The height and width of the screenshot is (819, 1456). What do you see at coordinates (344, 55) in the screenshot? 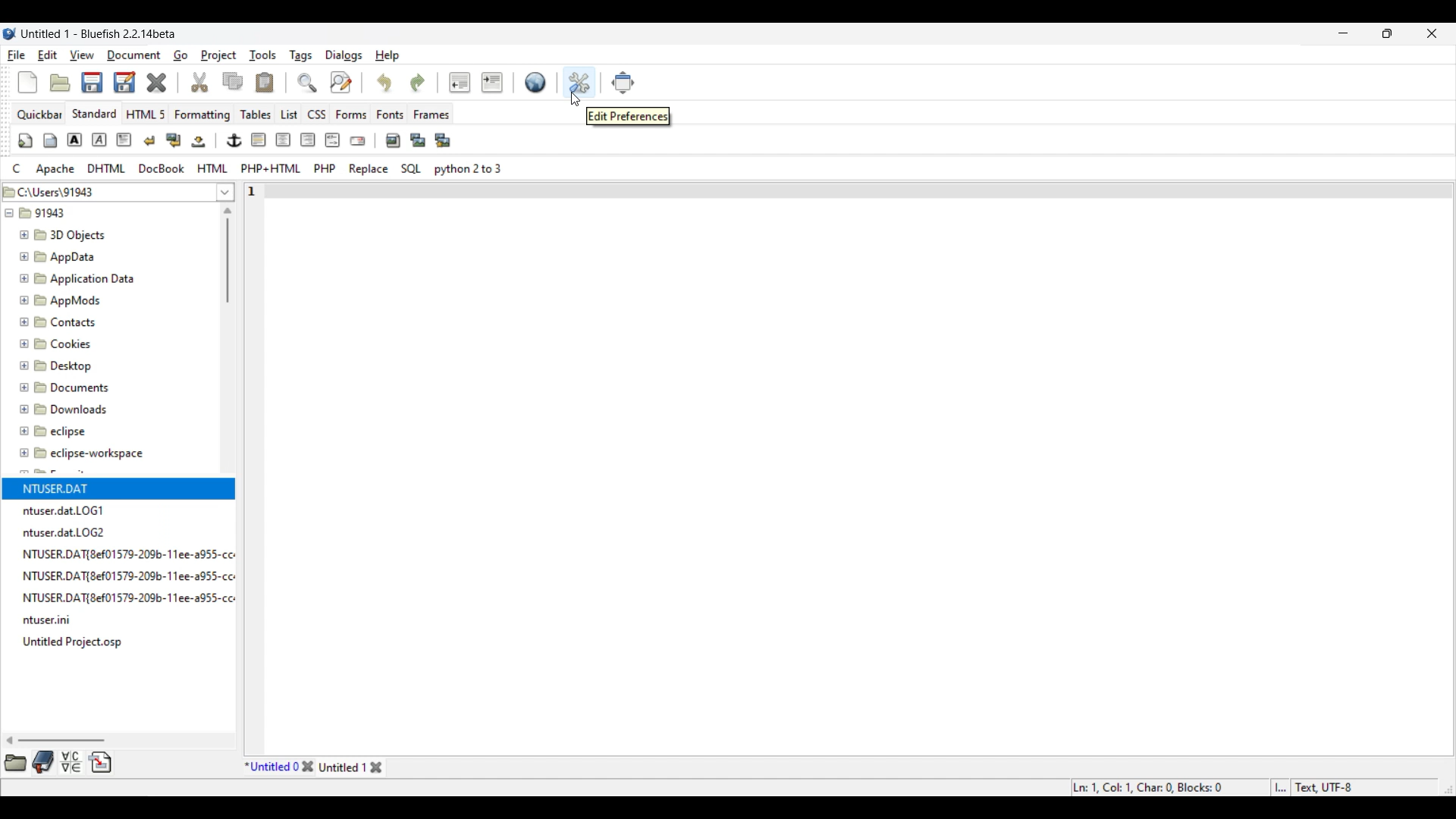
I see `Dialogs menu` at bounding box center [344, 55].